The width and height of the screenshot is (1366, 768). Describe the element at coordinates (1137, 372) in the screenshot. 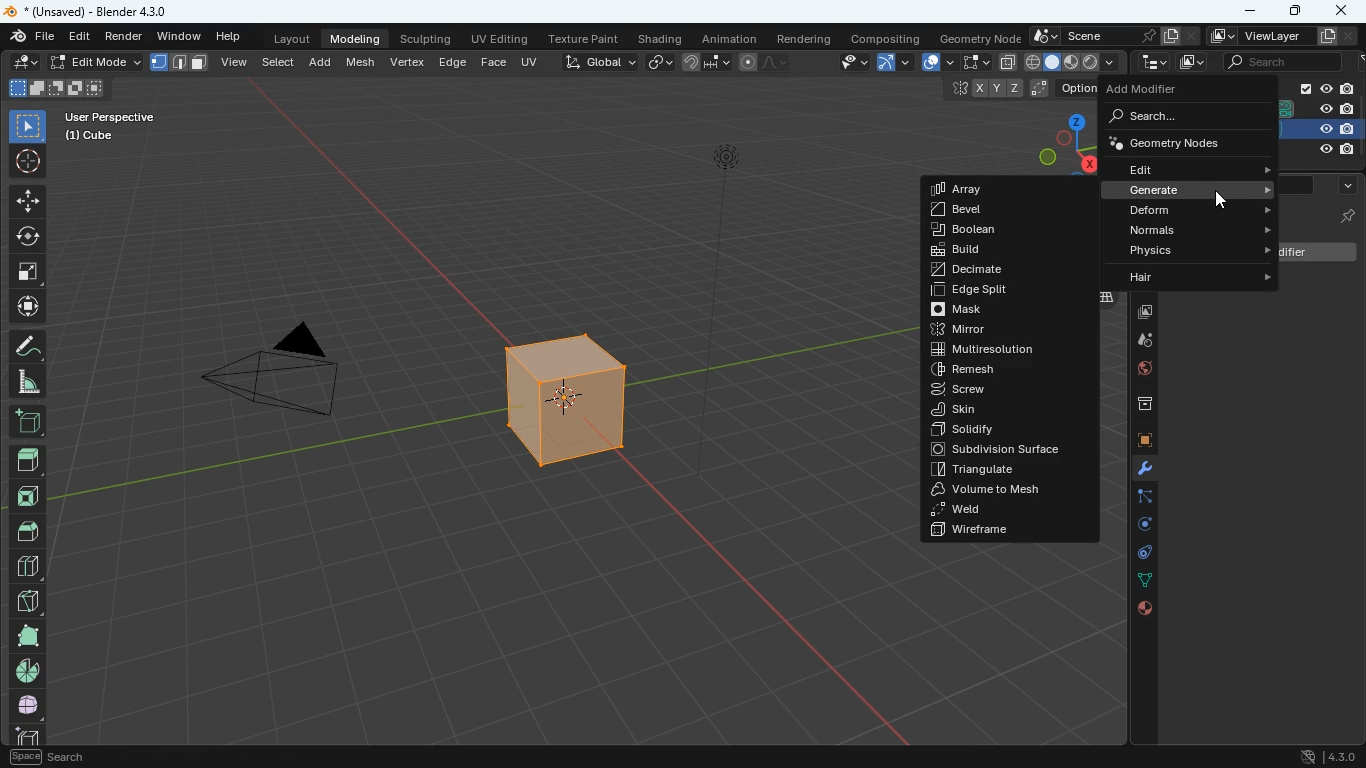

I see `globe` at that location.